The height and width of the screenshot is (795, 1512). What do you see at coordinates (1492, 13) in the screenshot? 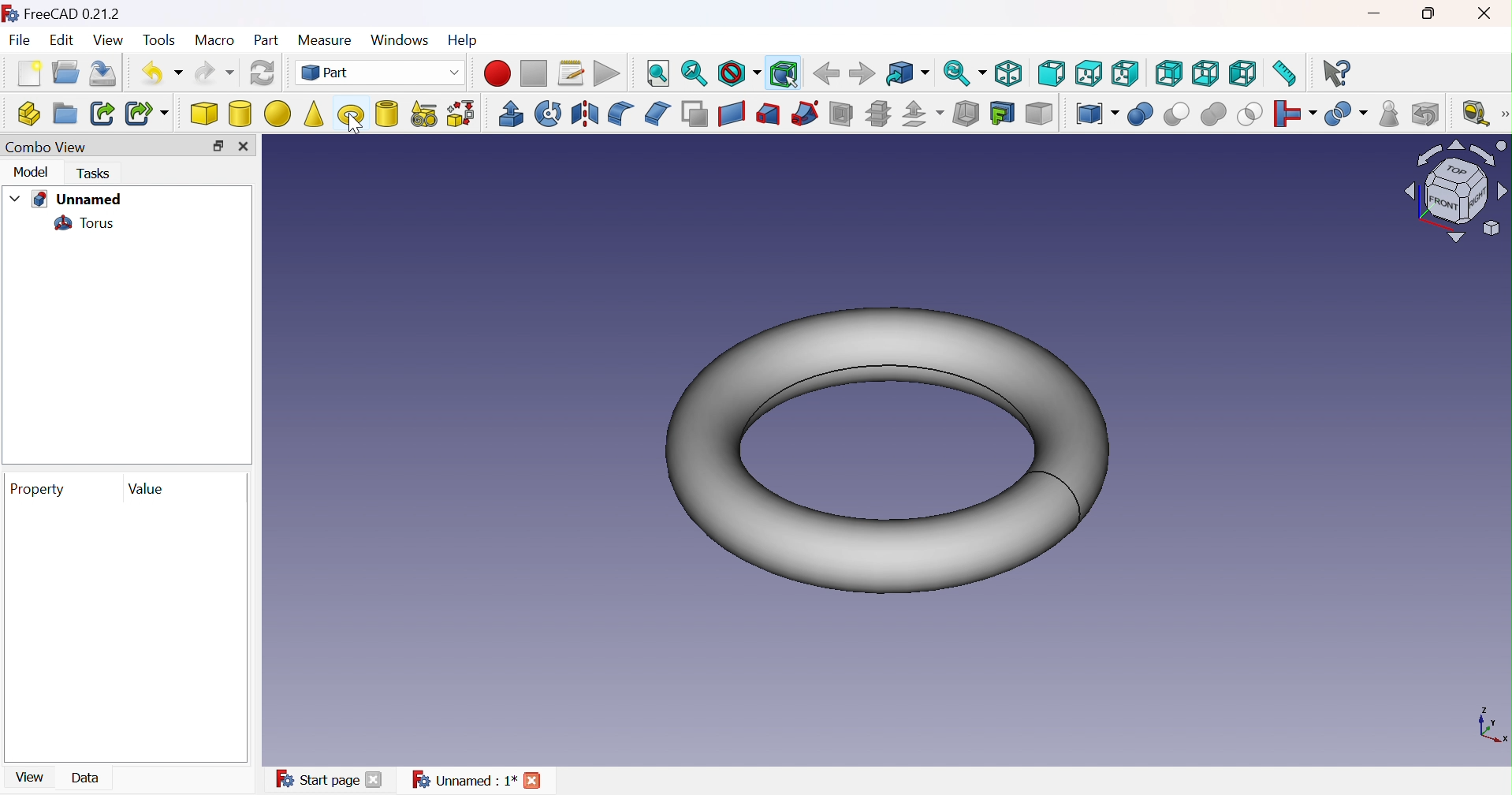
I see `Close` at bounding box center [1492, 13].